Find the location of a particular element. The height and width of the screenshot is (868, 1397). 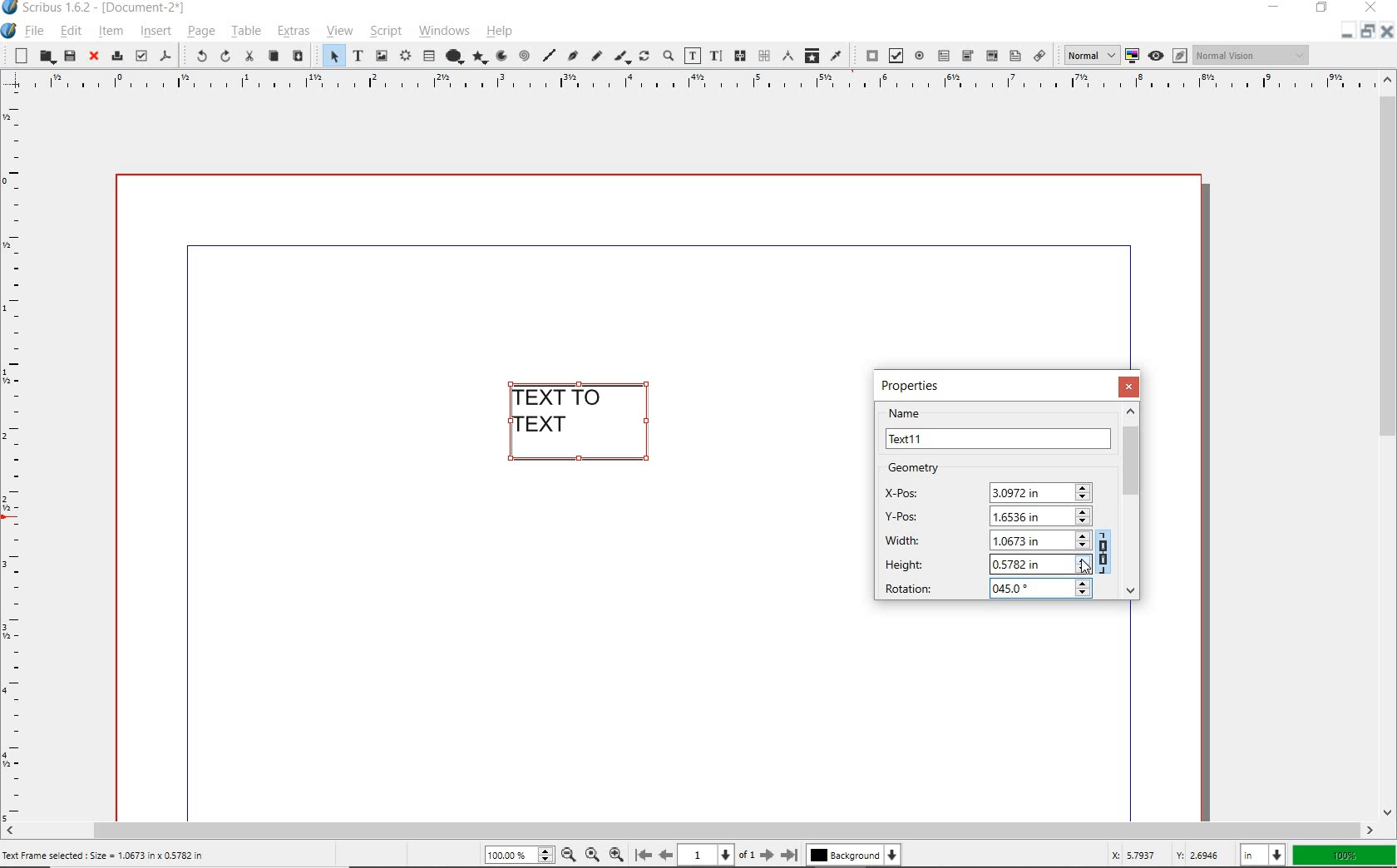

edit text with story editor is located at coordinates (716, 55).